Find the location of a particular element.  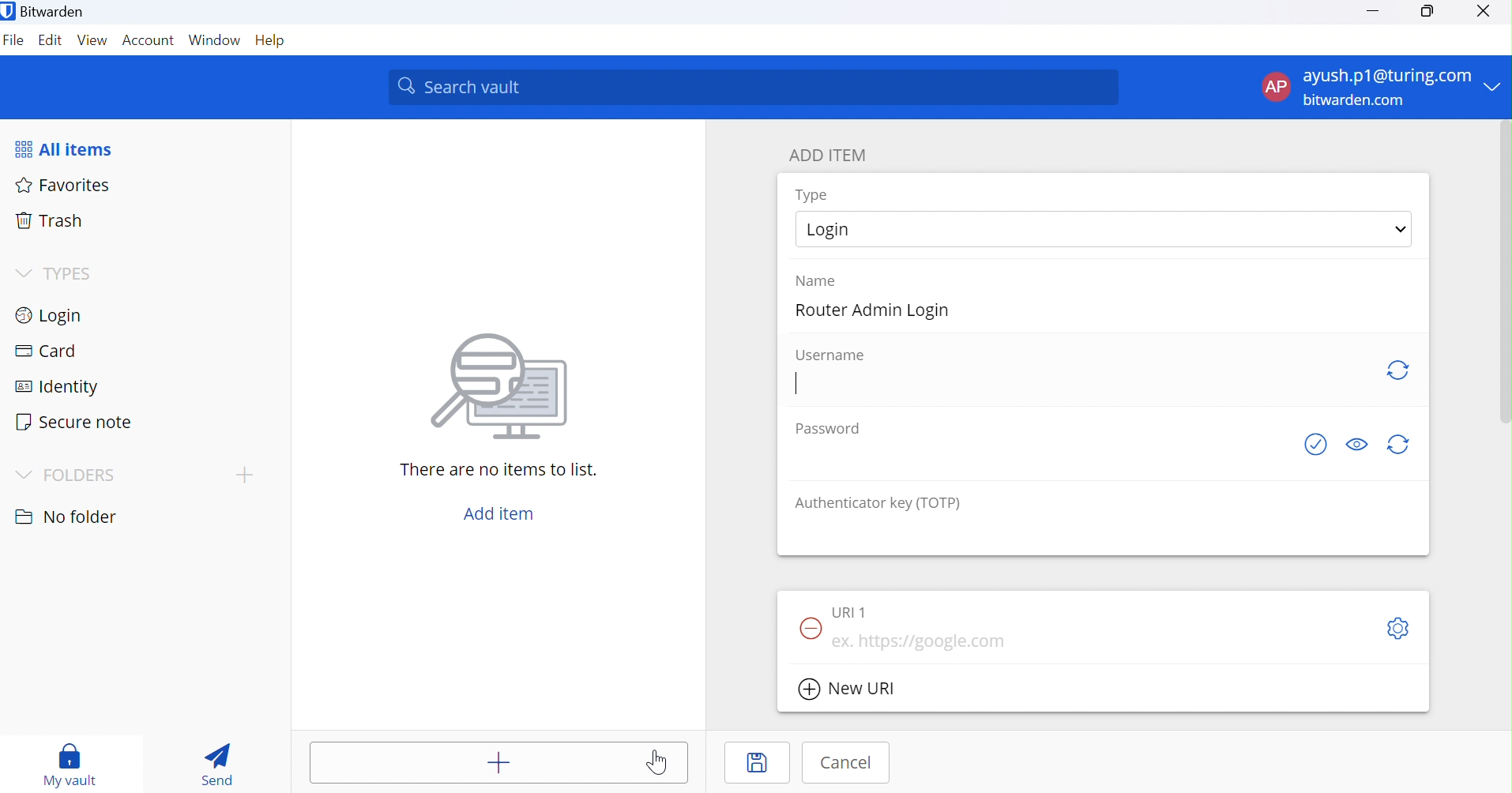

Close is located at coordinates (1485, 12).